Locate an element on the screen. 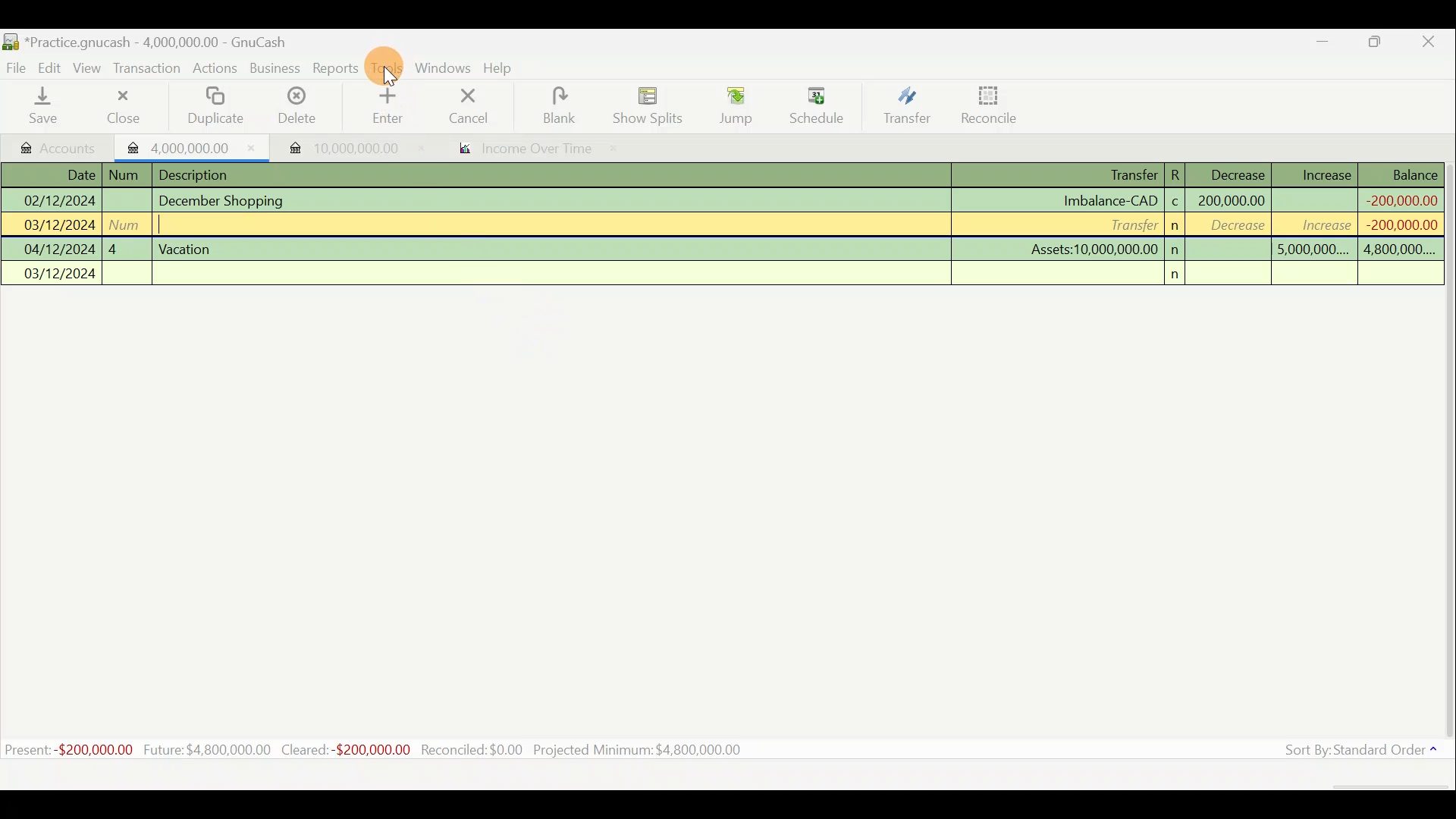  Imported transaction is located at coordinates (186, 146).